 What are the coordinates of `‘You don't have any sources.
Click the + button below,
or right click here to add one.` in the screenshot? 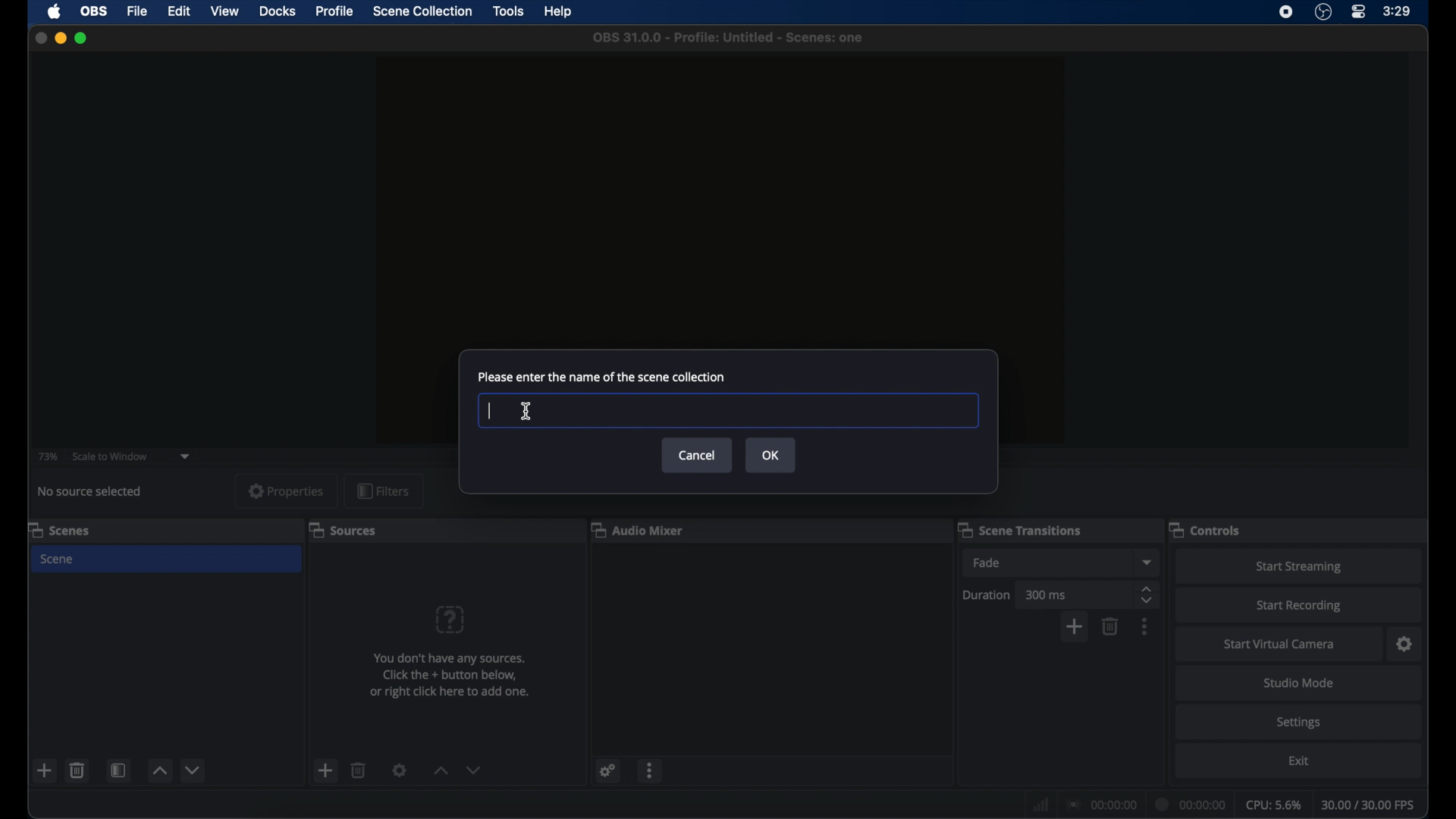 It's located at (445, 679).